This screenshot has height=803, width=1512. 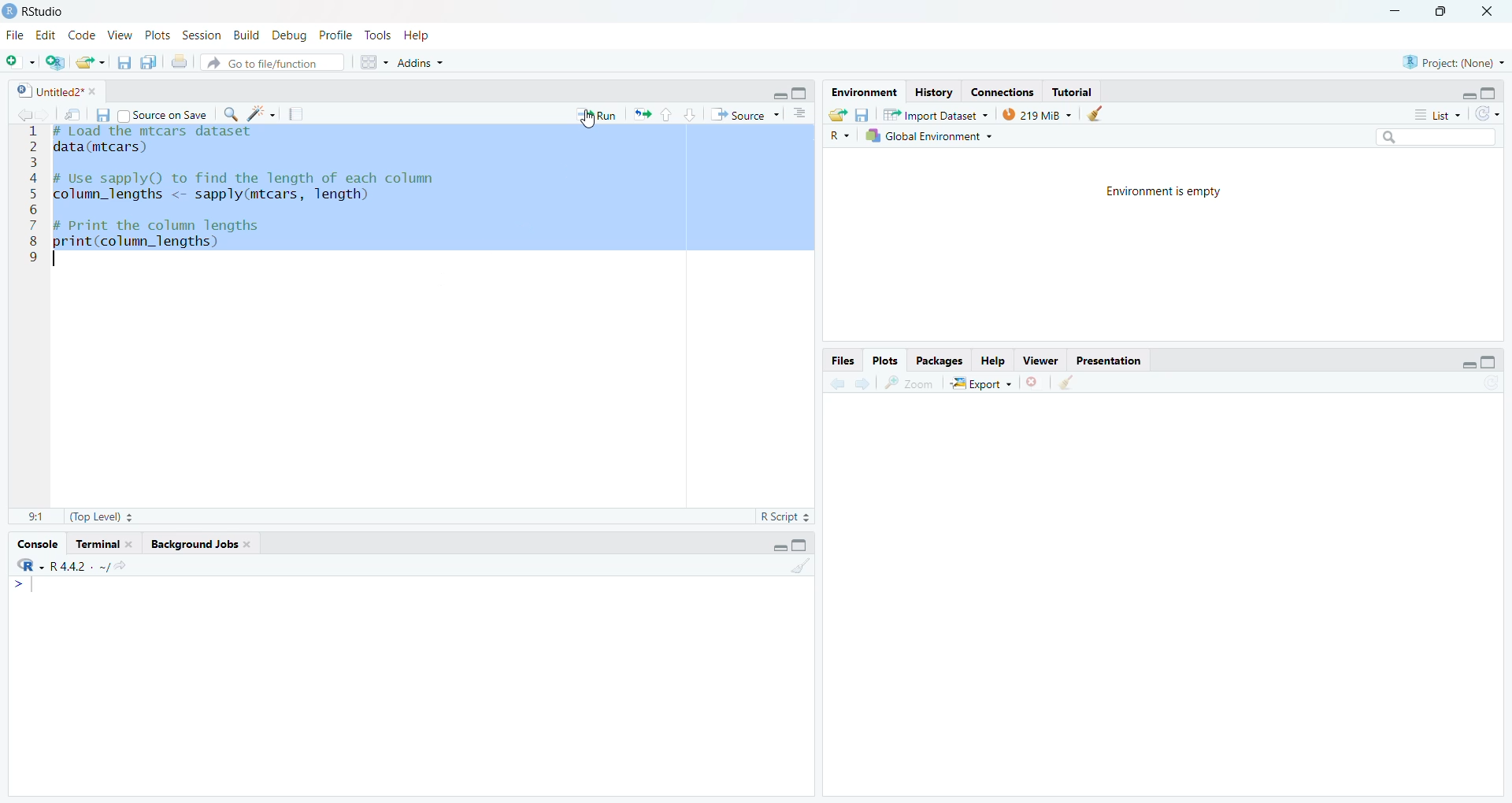 What do you see at coordinates (802, 114) in the screenshot?
I see `Show document outline` at bounding box center [802, 114].